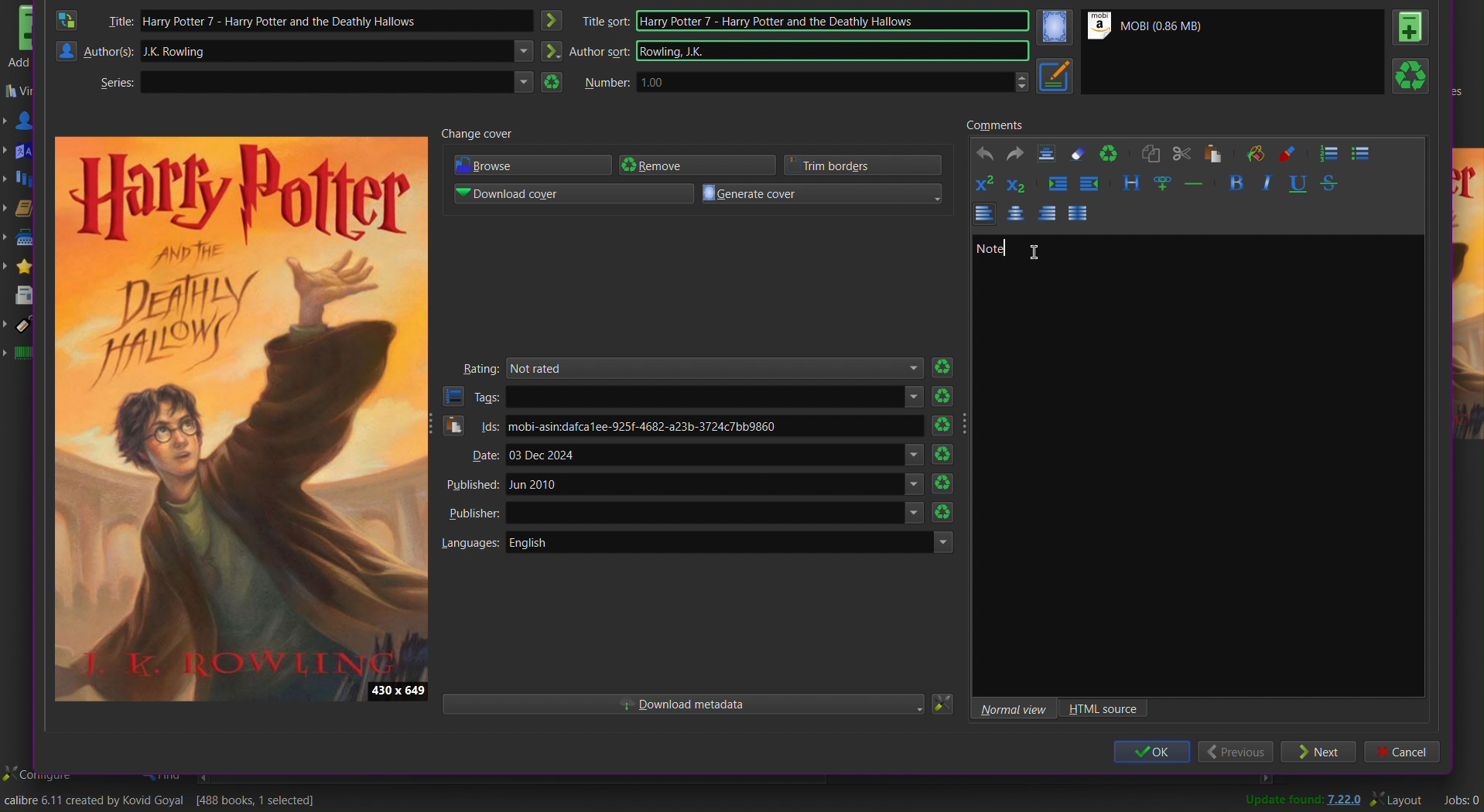 This screenshot has width=1484, height=812. What do you see at coordinates (1046, 152) in the screenshot?
I see `Textbox` at bounding box center [1046, 152].